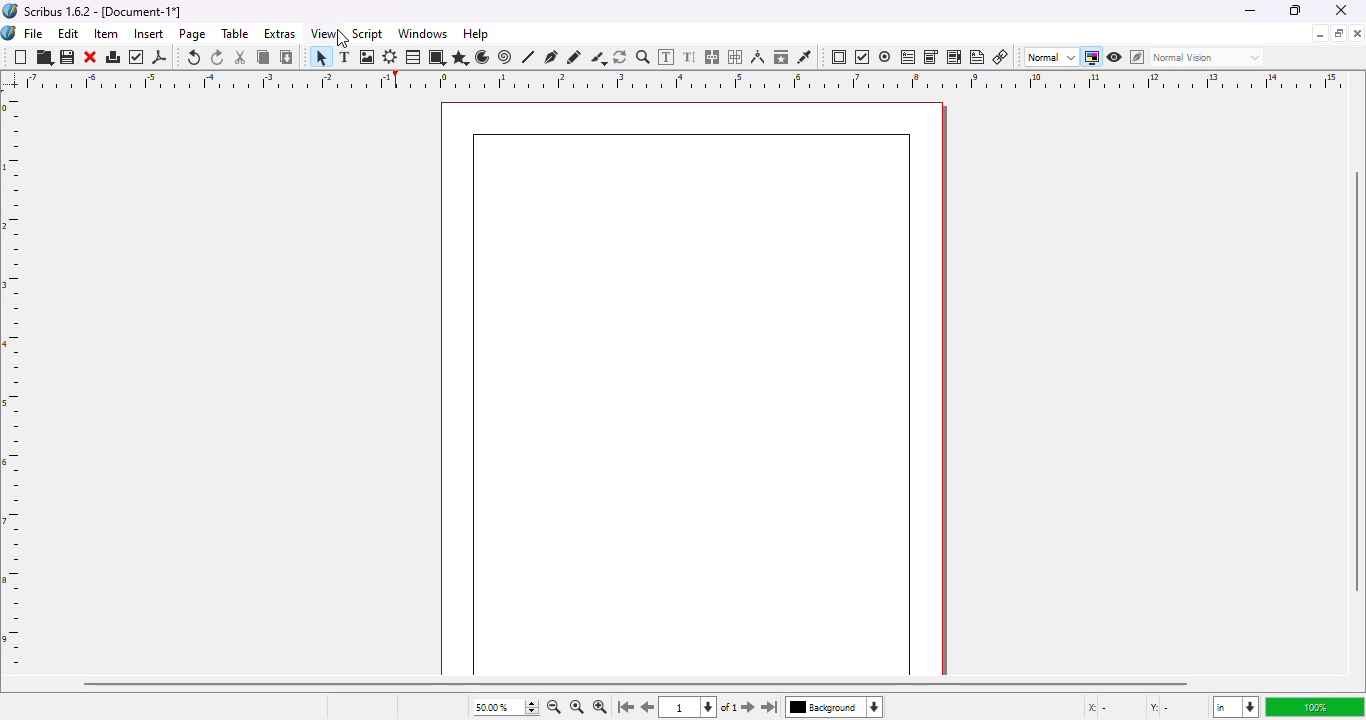 Image resolution: width=1366 pixels, height=720 pixels. Describe the element at coordinates (263, 57) in the screenshot. I see `copy` at that location.